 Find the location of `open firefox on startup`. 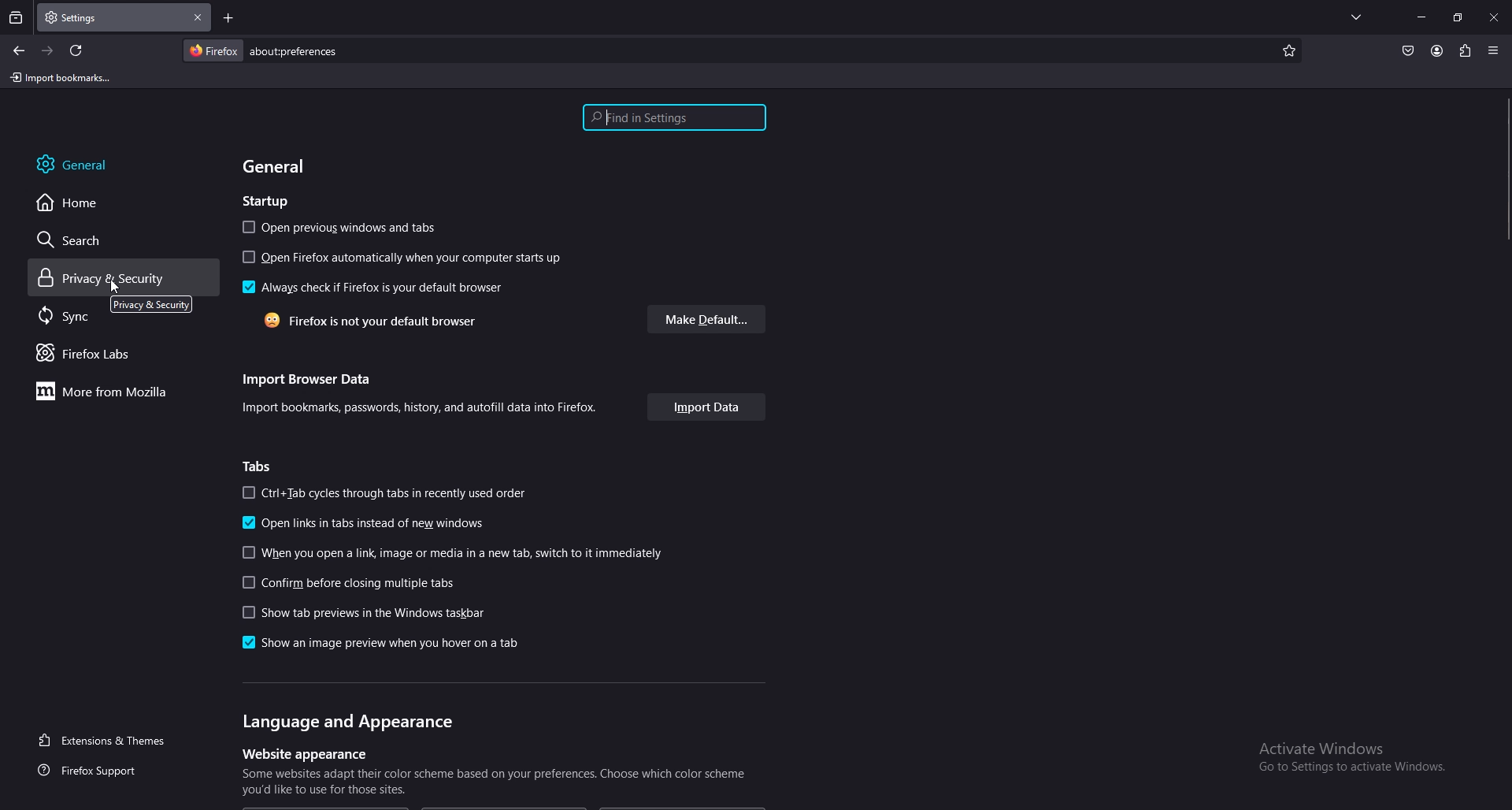

open firefox on startup is located at coordinates (407, 258).